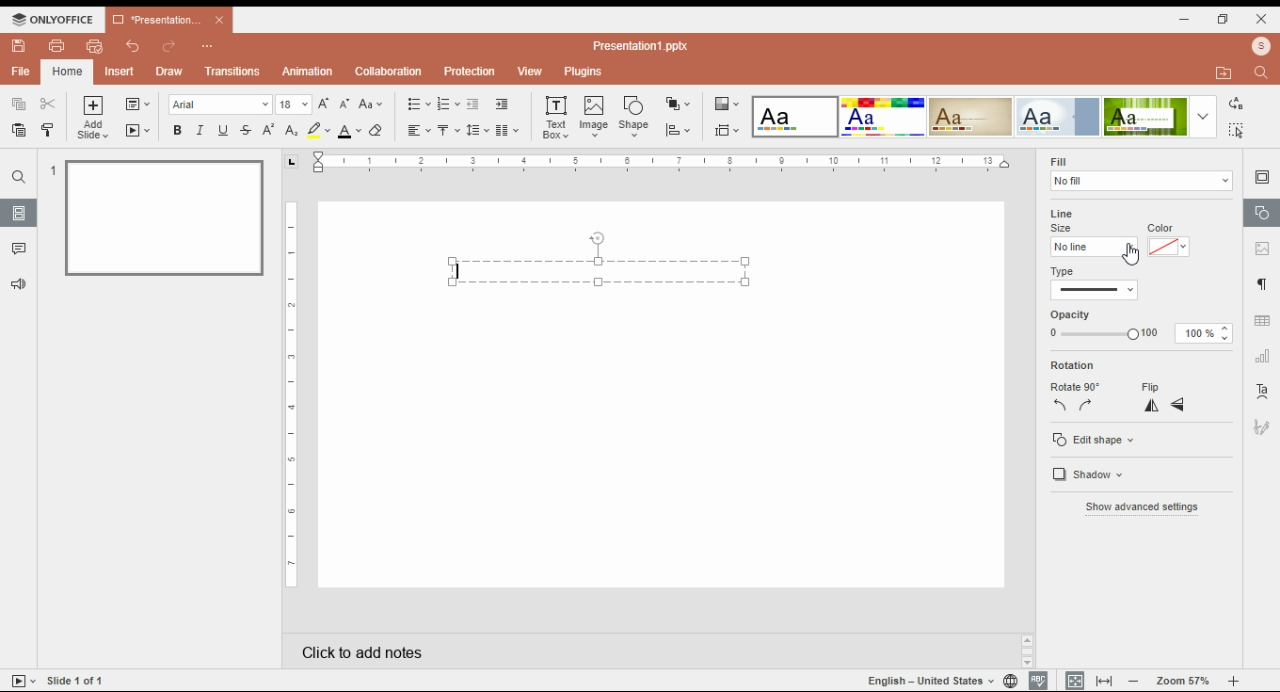 The image size is (1280, 692). What do you see at coordinates (473, 104) in the screenshot?
I see `decrease indent` at bounding box center [473, 104].